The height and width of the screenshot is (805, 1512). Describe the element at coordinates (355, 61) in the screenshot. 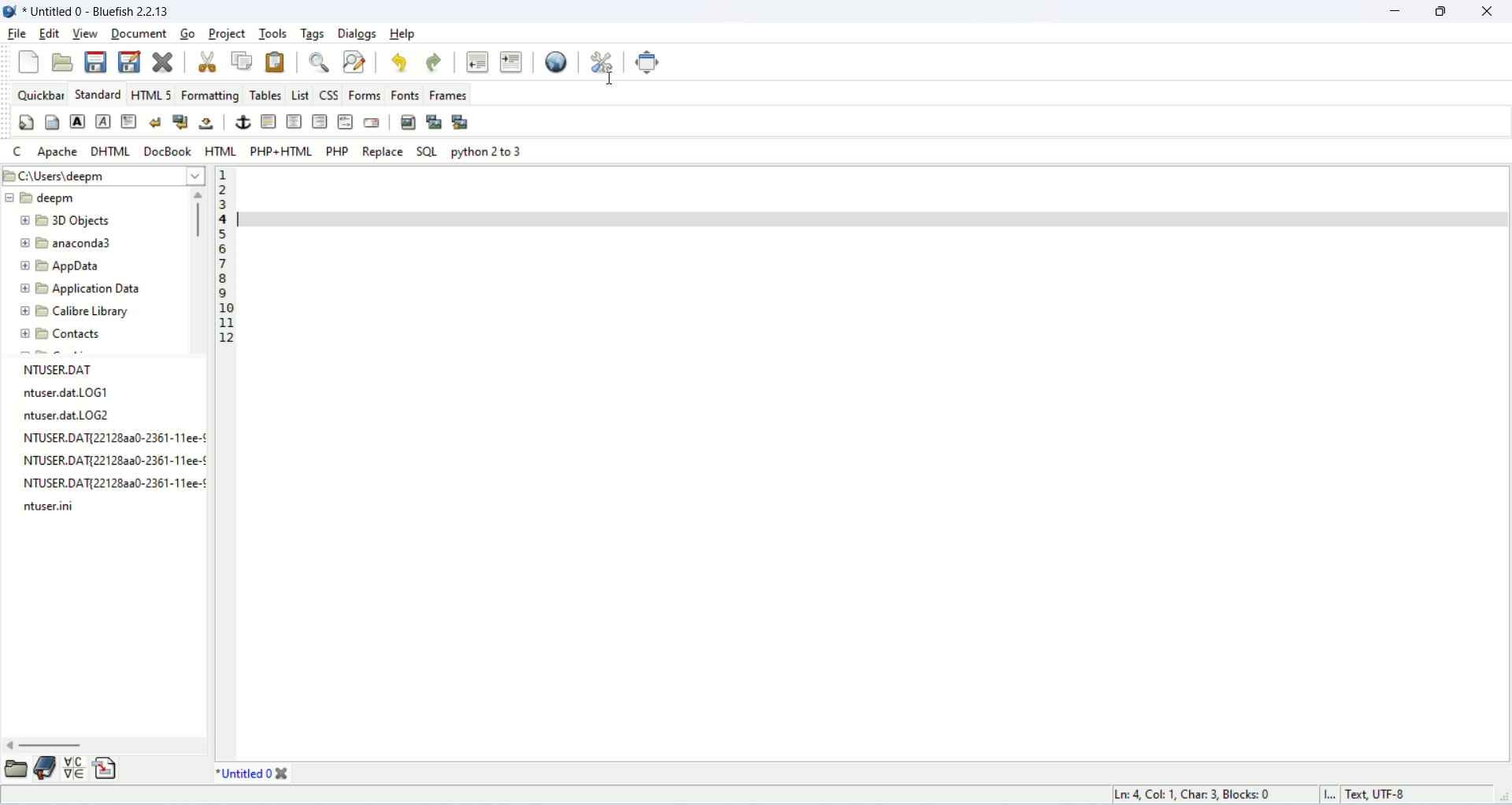

I see `find and replace` at that location.